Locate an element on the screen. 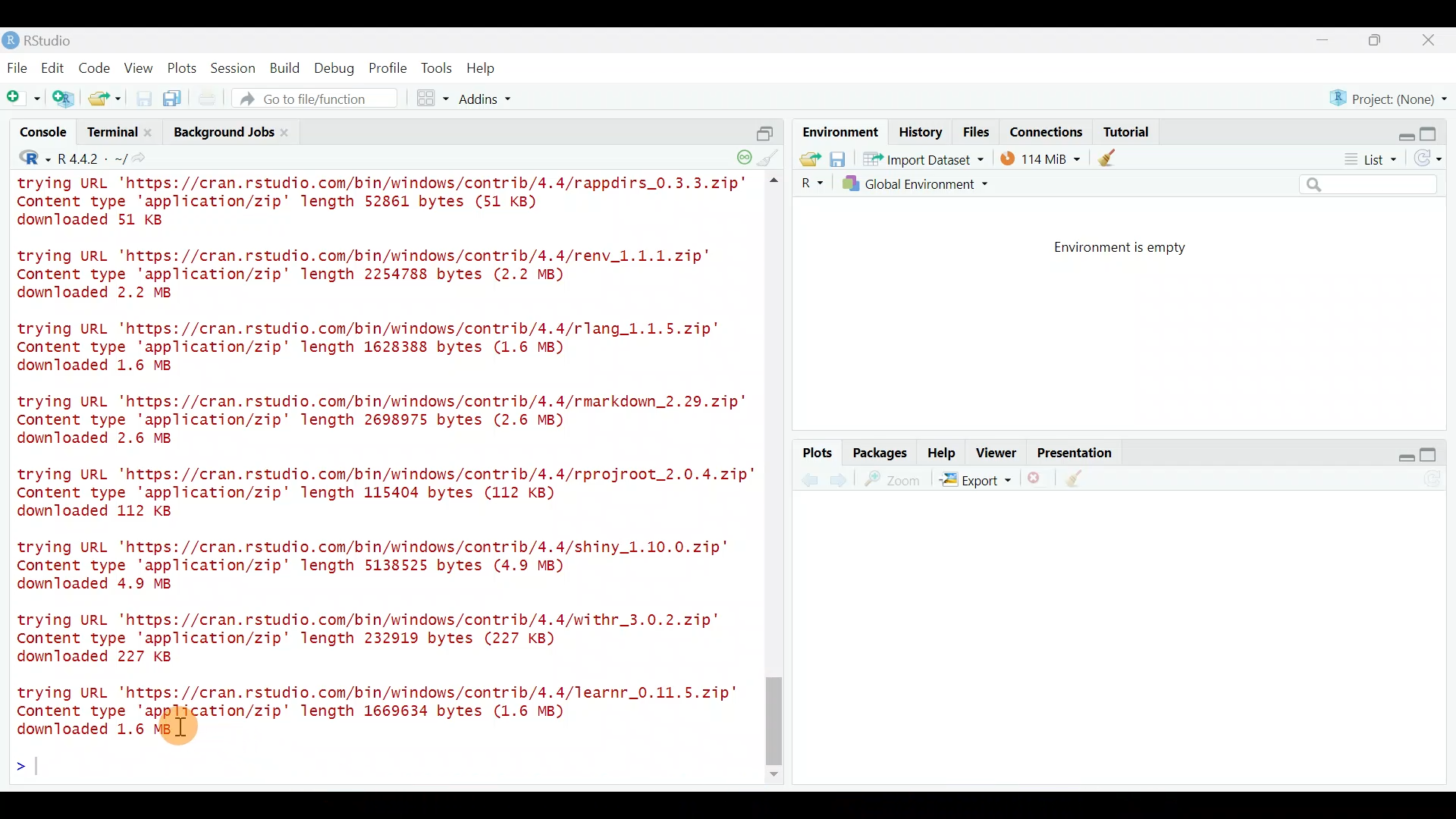 This screenshot has width=1456, height=819. Save all open documents is located at coordinates (174, 99).